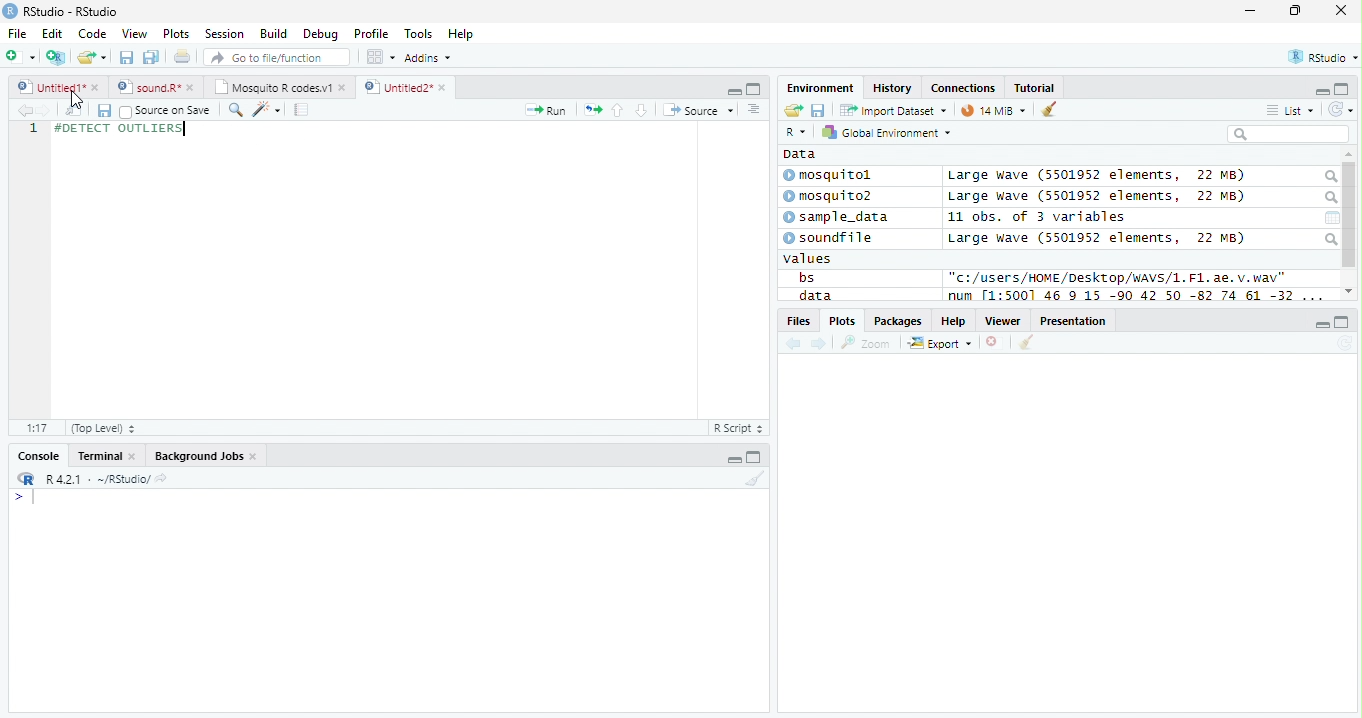  I want to click on search, so click(1330, 239).